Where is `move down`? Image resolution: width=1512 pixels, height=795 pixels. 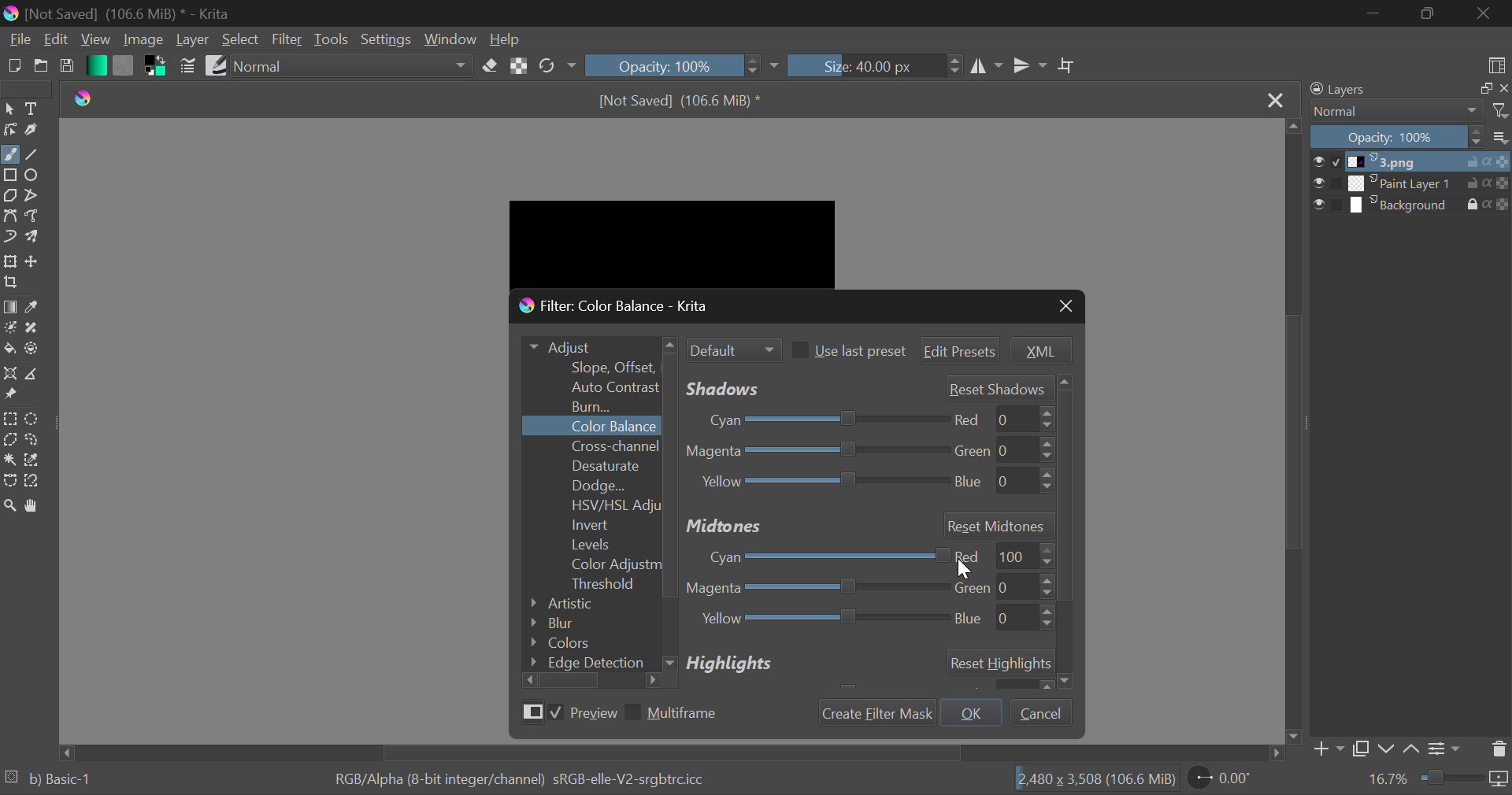 move down is located at coordinates (1296, 733).